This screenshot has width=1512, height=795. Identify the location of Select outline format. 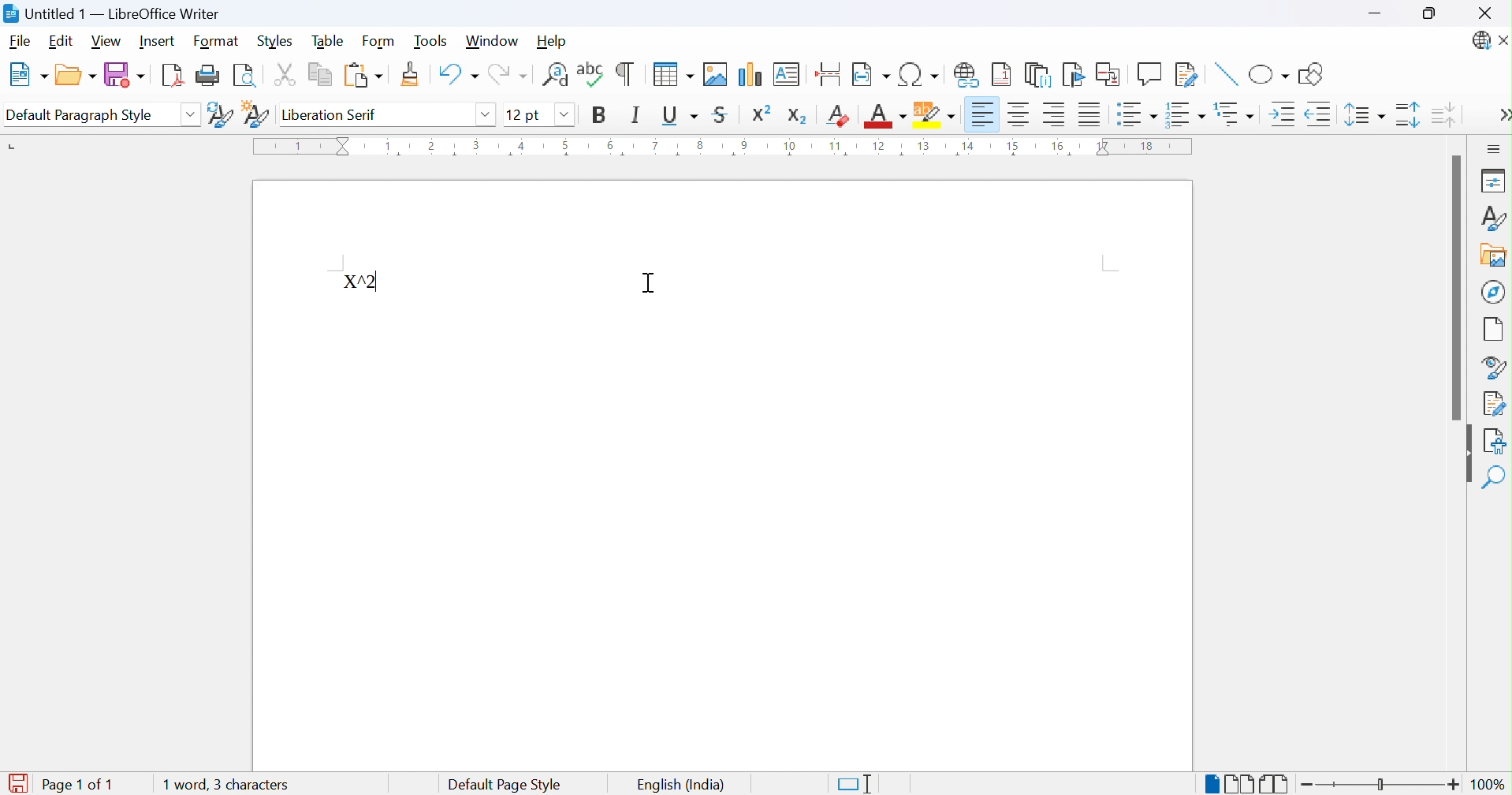
(1234, 112).